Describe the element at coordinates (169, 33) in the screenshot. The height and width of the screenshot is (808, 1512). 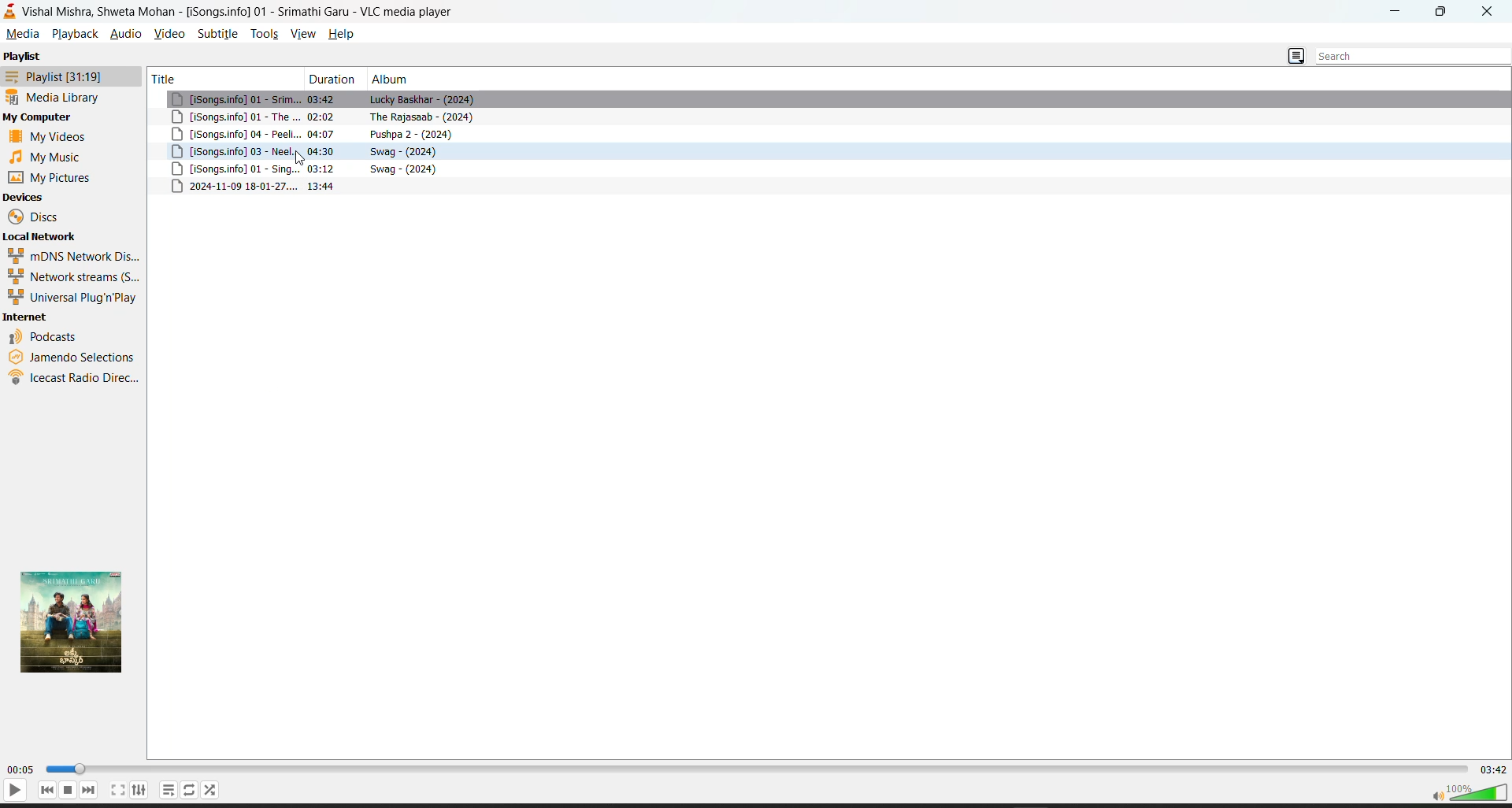
I see `video` at that location.